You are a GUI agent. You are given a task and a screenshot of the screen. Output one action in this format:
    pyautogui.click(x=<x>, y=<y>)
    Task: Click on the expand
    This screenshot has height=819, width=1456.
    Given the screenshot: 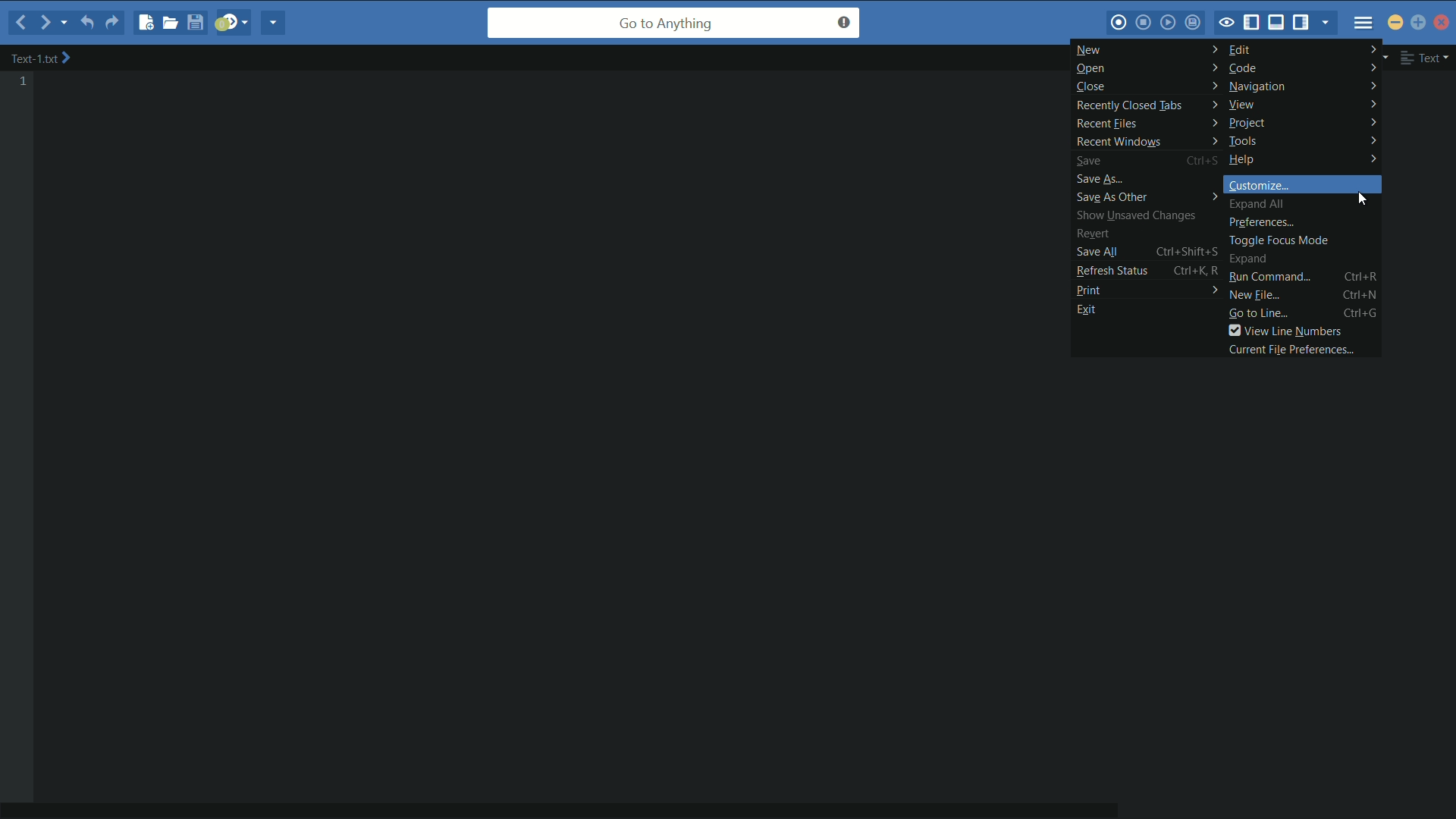 What is the action you would take?
    pyautogui.click(x=1250, y=259)
    